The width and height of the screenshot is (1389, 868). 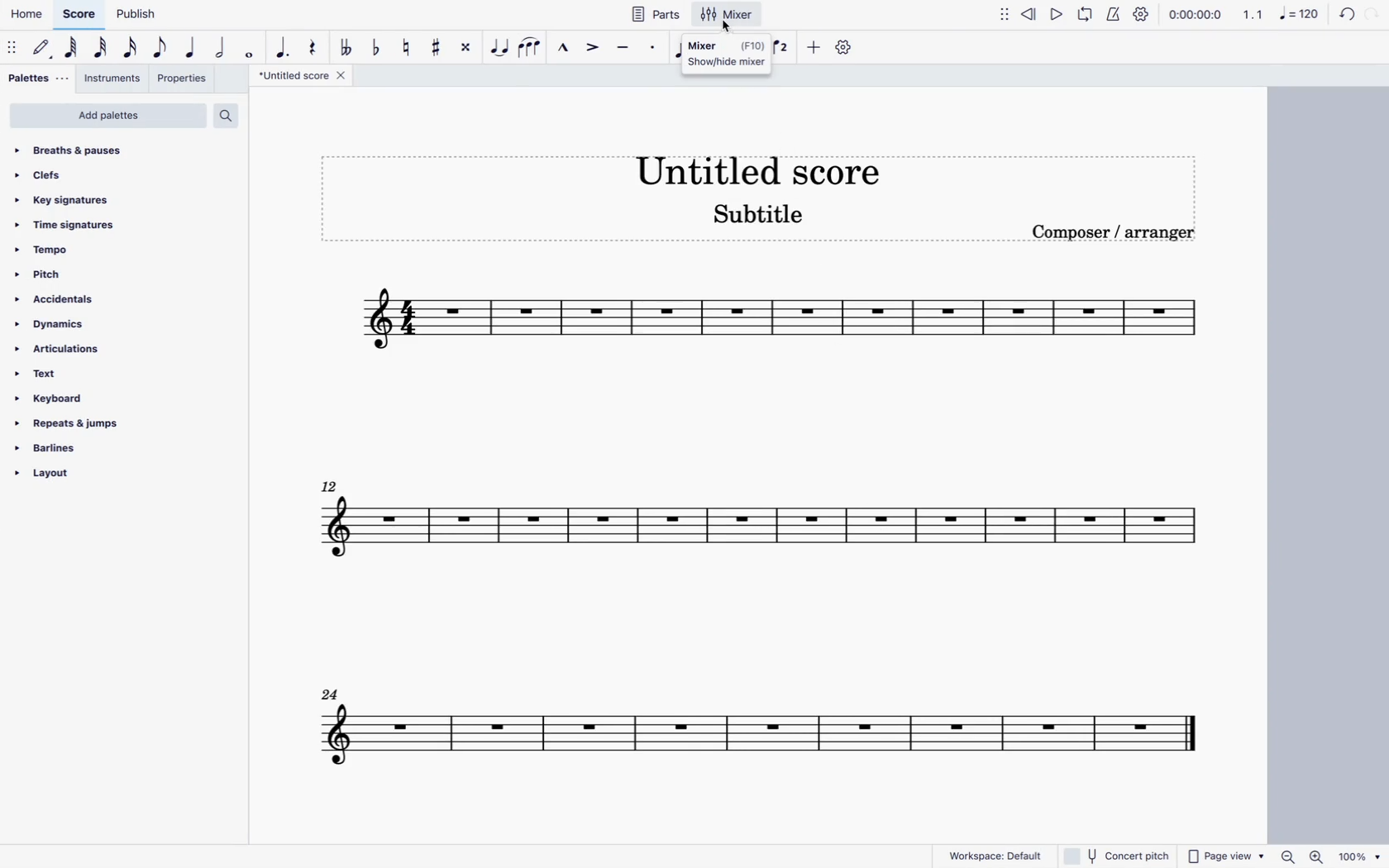 What do you see at coordinates (1085, 13) in the screenshot?
I see `loop playback` at bounding box center [1085, 13].